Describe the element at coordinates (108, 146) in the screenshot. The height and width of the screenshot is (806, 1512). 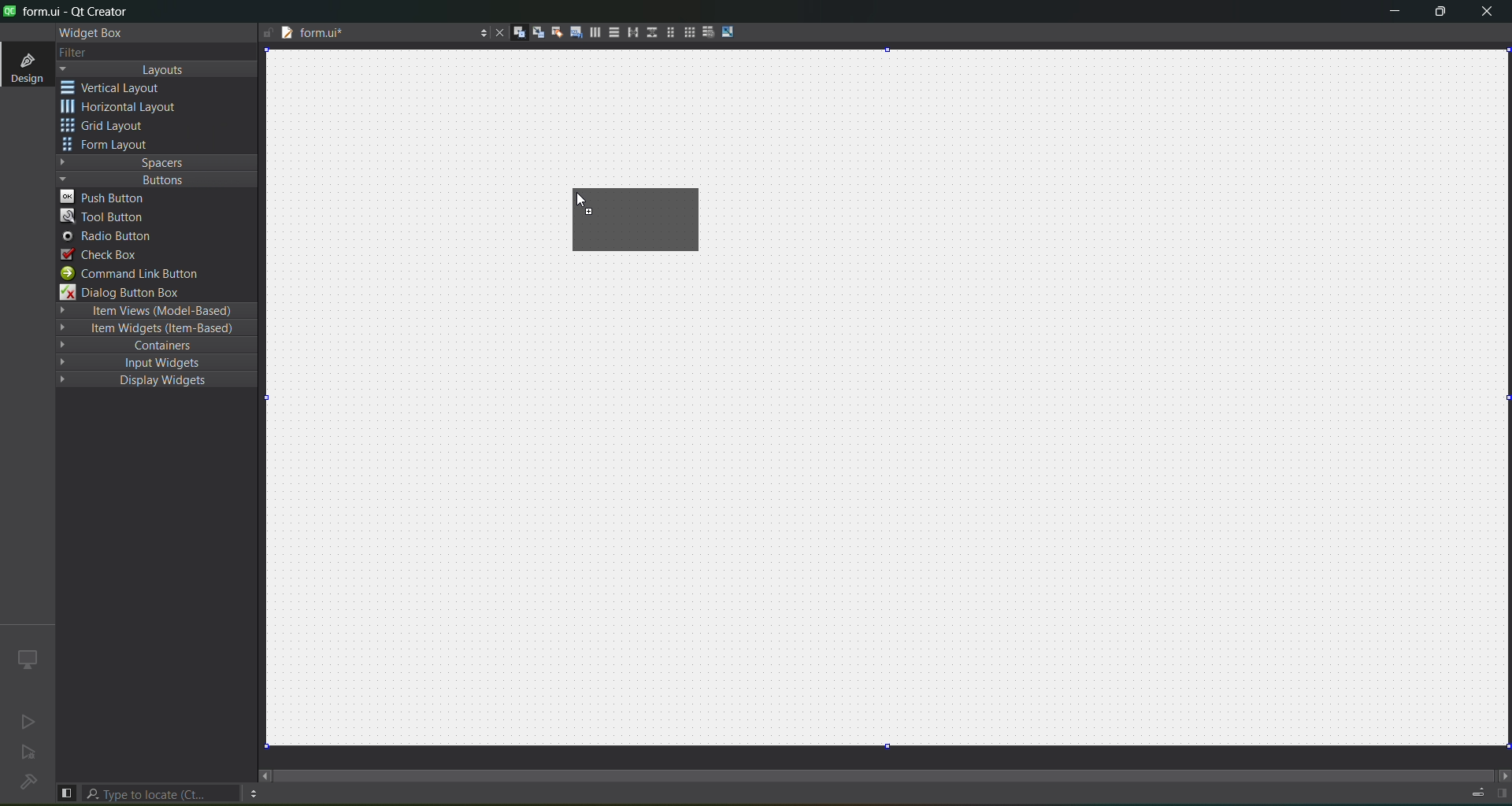
I see `form layout` at that location.